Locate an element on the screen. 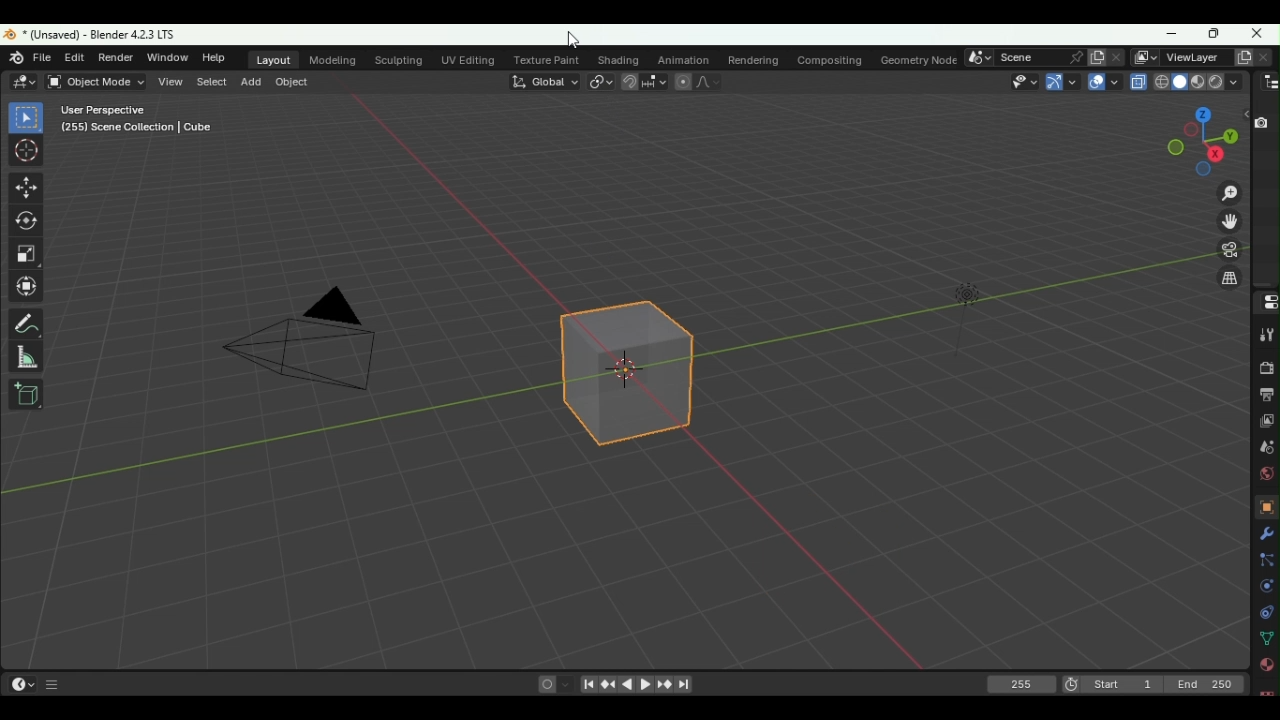 The width and height of the screenshot is (1280, 720). Rotate the view is located at coordinates (1200, 171).